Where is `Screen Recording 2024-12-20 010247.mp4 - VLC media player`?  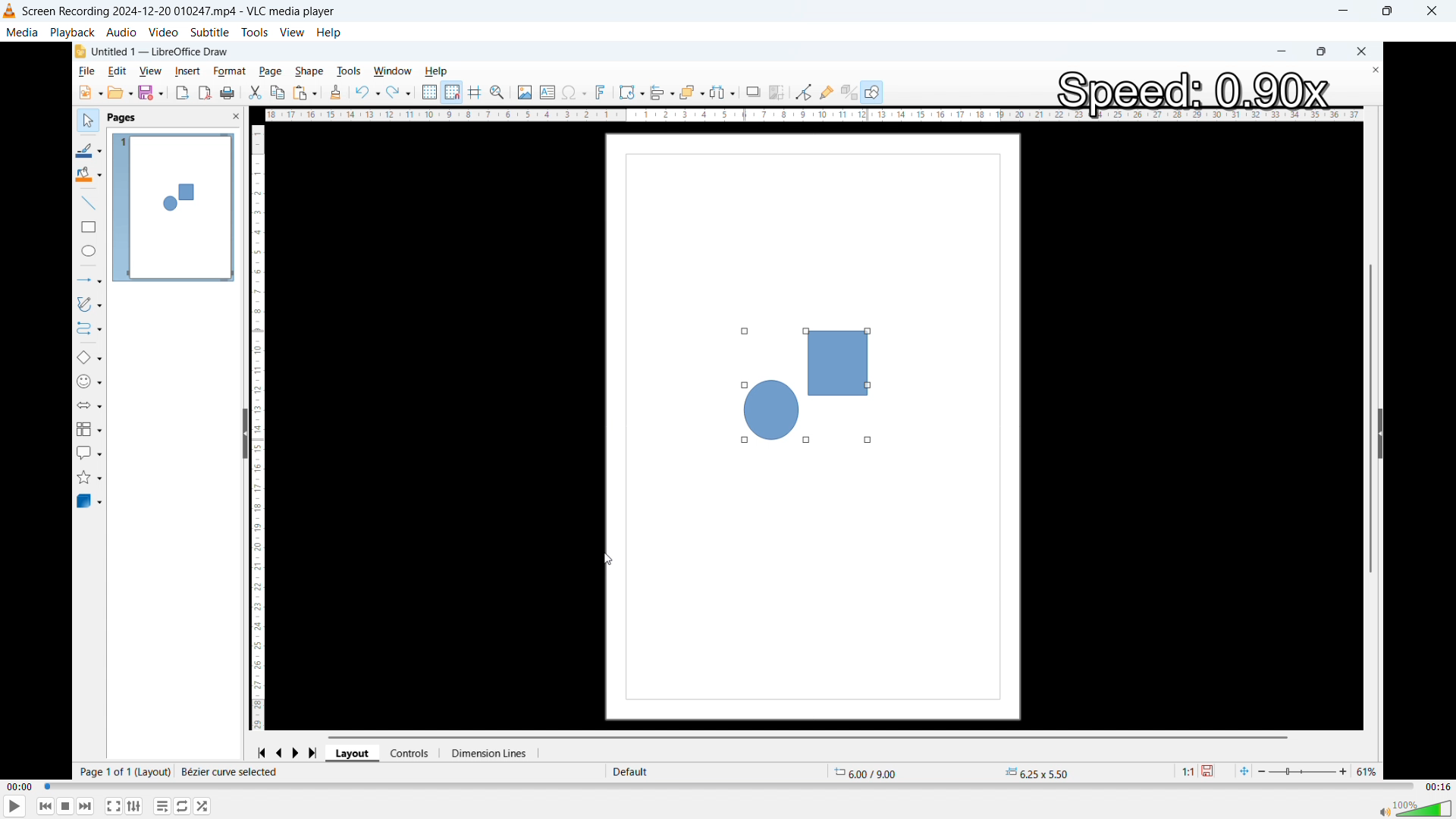 Screen Recording 2024-12-20 010247.mp4 - VLC media player is located at coordinates (174, 11).